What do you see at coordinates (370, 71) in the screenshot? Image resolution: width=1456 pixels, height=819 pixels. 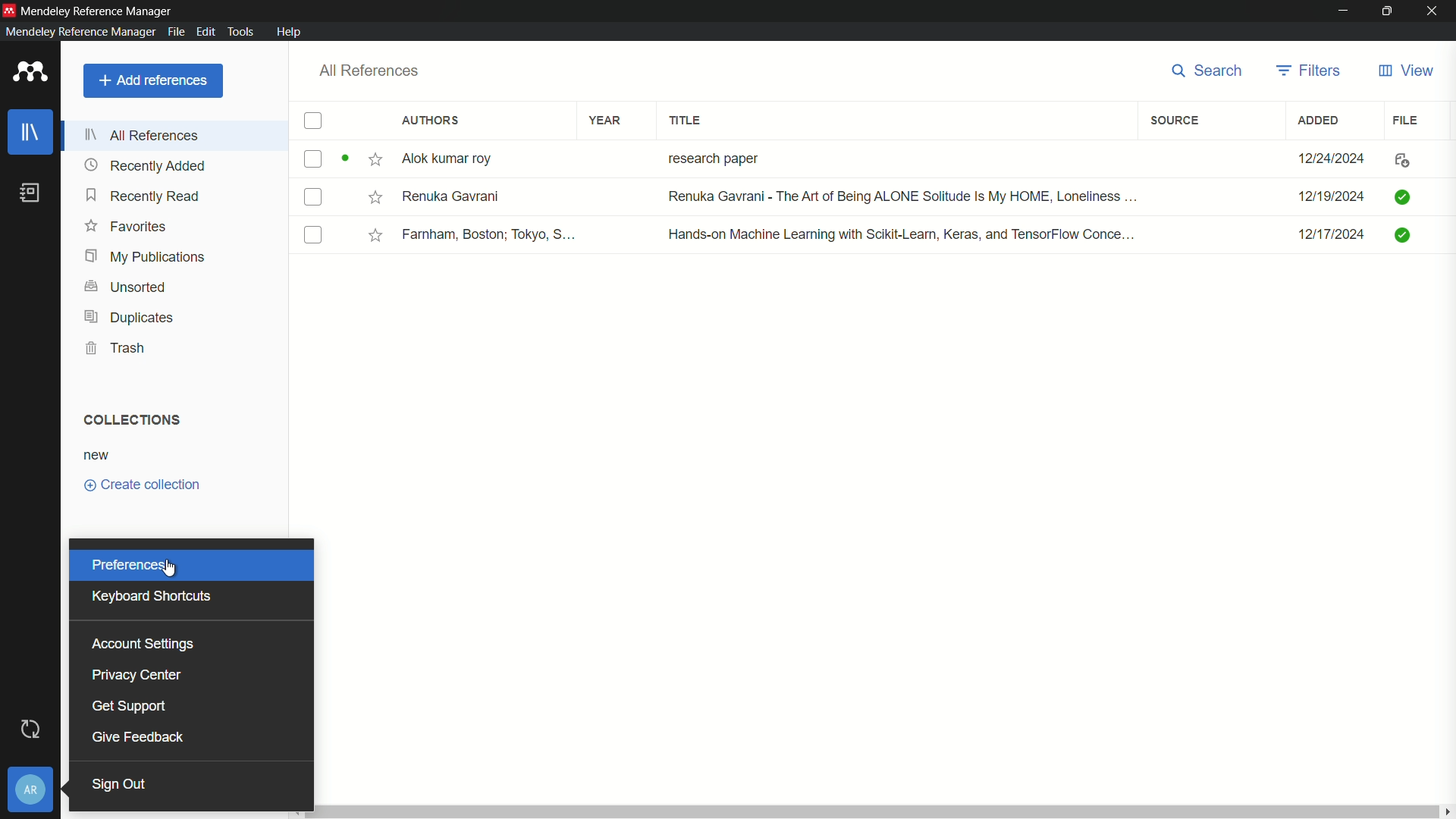 I see `all references` at bounding box center [370, 71].